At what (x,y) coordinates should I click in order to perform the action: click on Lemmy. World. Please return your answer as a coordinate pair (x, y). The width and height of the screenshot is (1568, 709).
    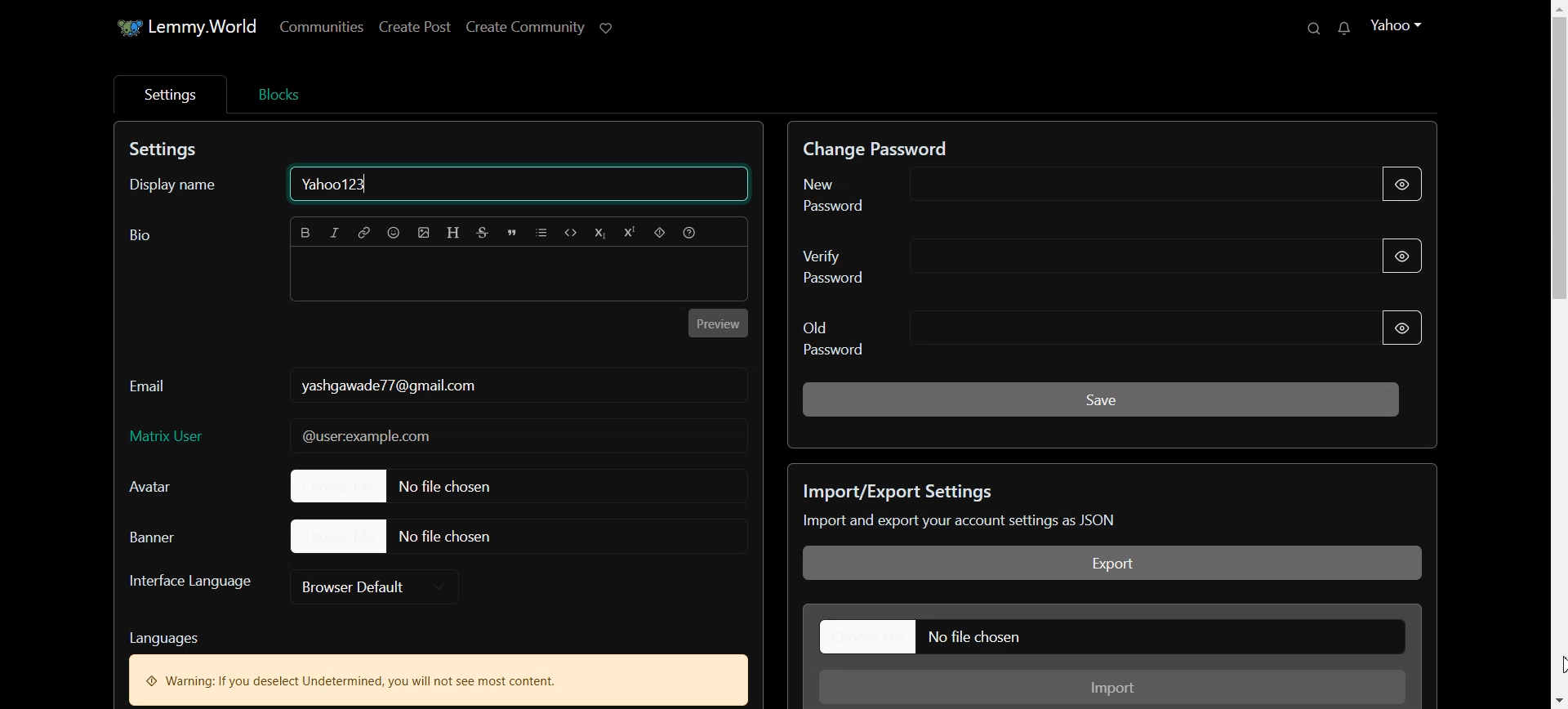
    Looking at the image, I should click on (175, 28).